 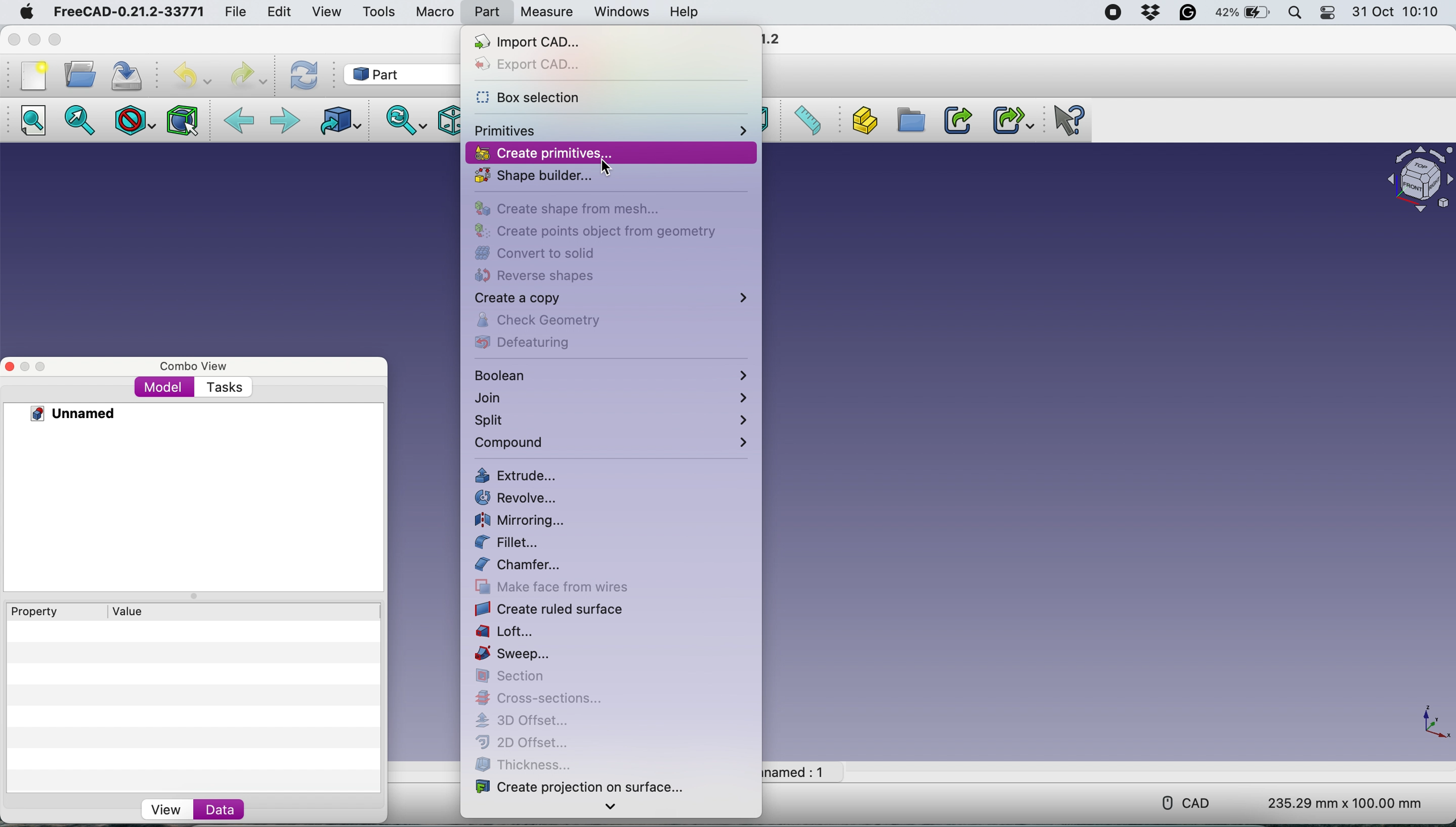 I want to click on reverse shapes, so click(x=543, y=276).